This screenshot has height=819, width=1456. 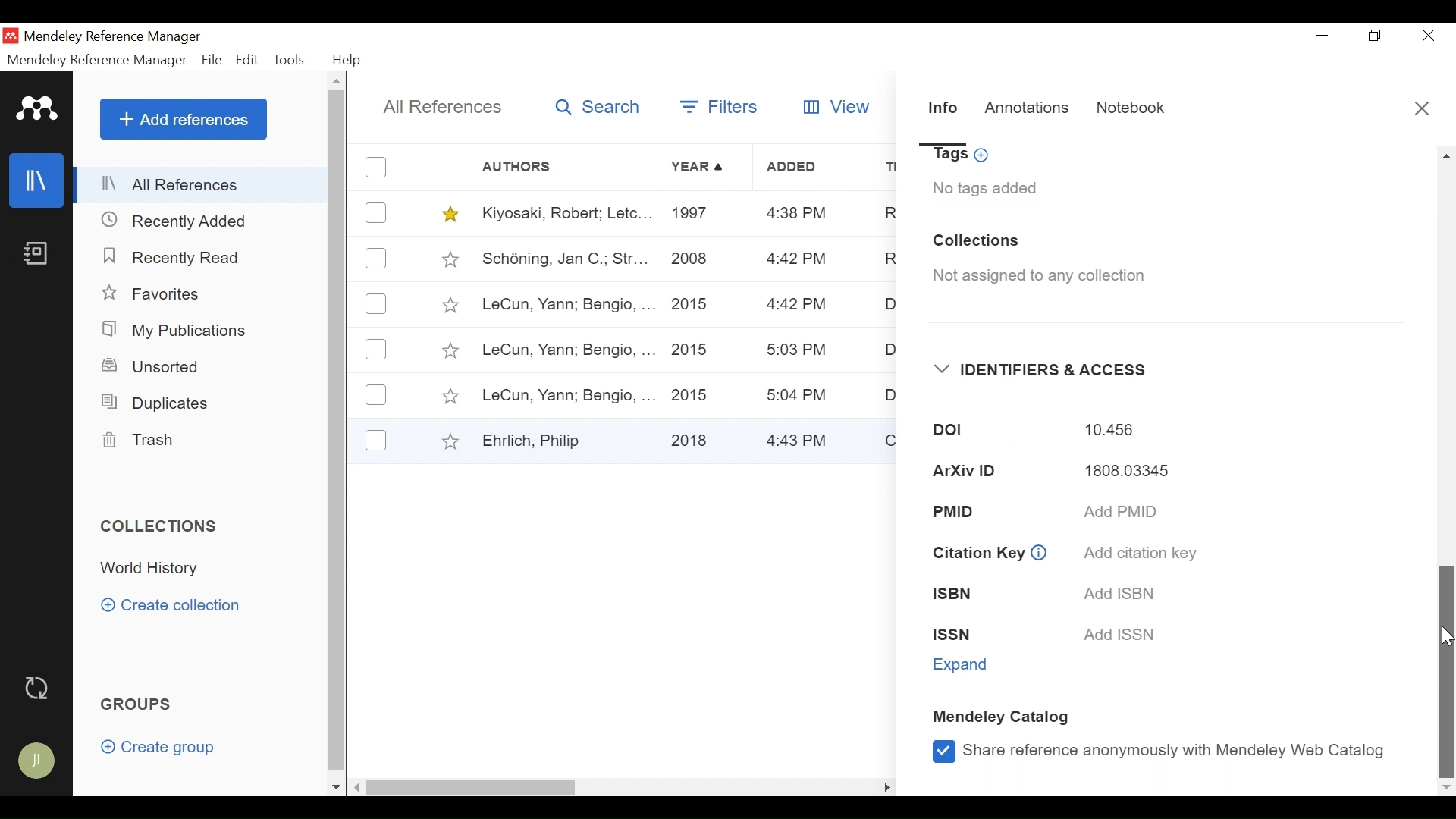 What do you see at coordinates (722, 109) in the screenshot?
I see `Filter` at bounding box center [722, 109].